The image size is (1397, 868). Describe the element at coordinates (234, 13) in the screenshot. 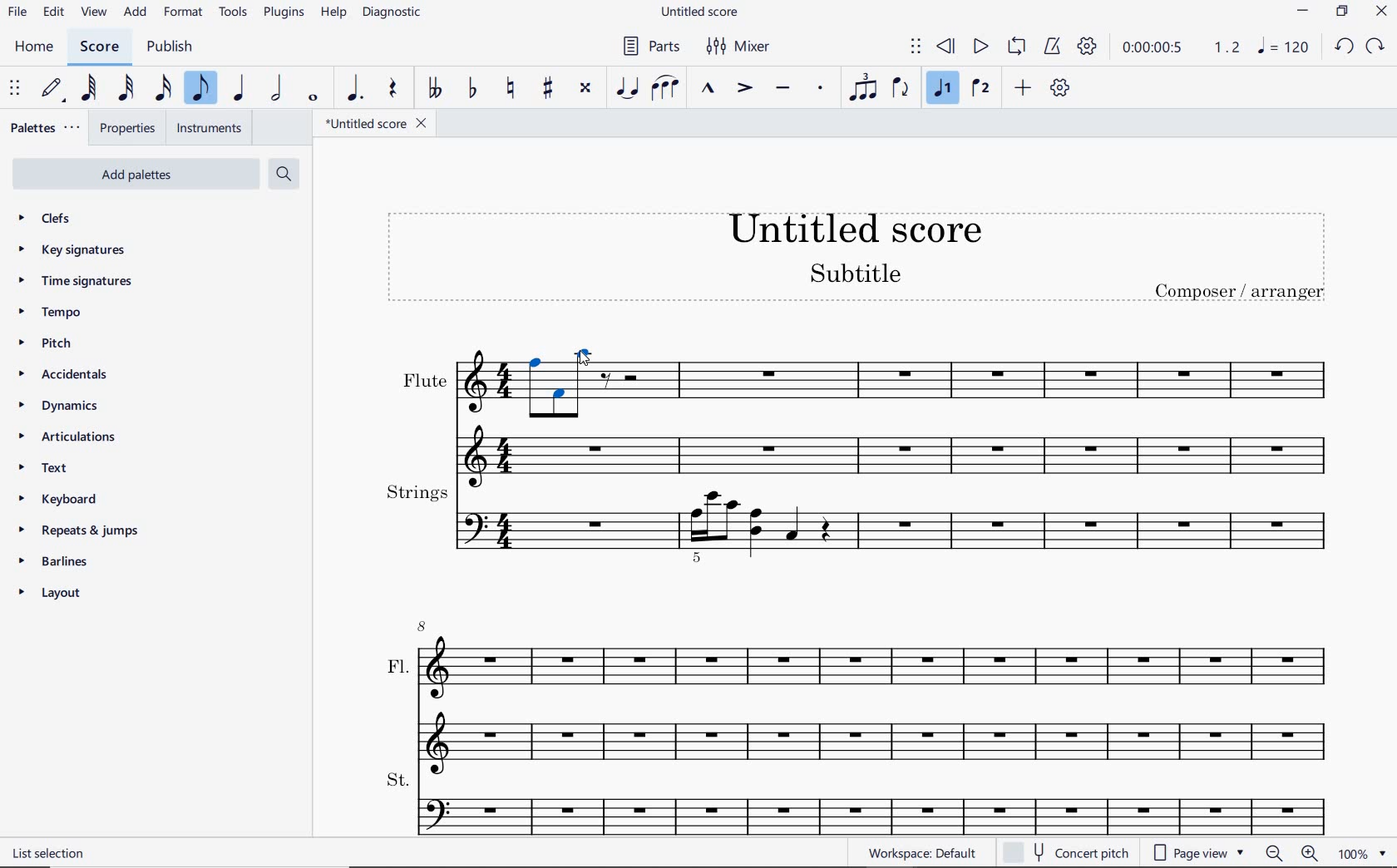

I see `TOOLS` at that location.